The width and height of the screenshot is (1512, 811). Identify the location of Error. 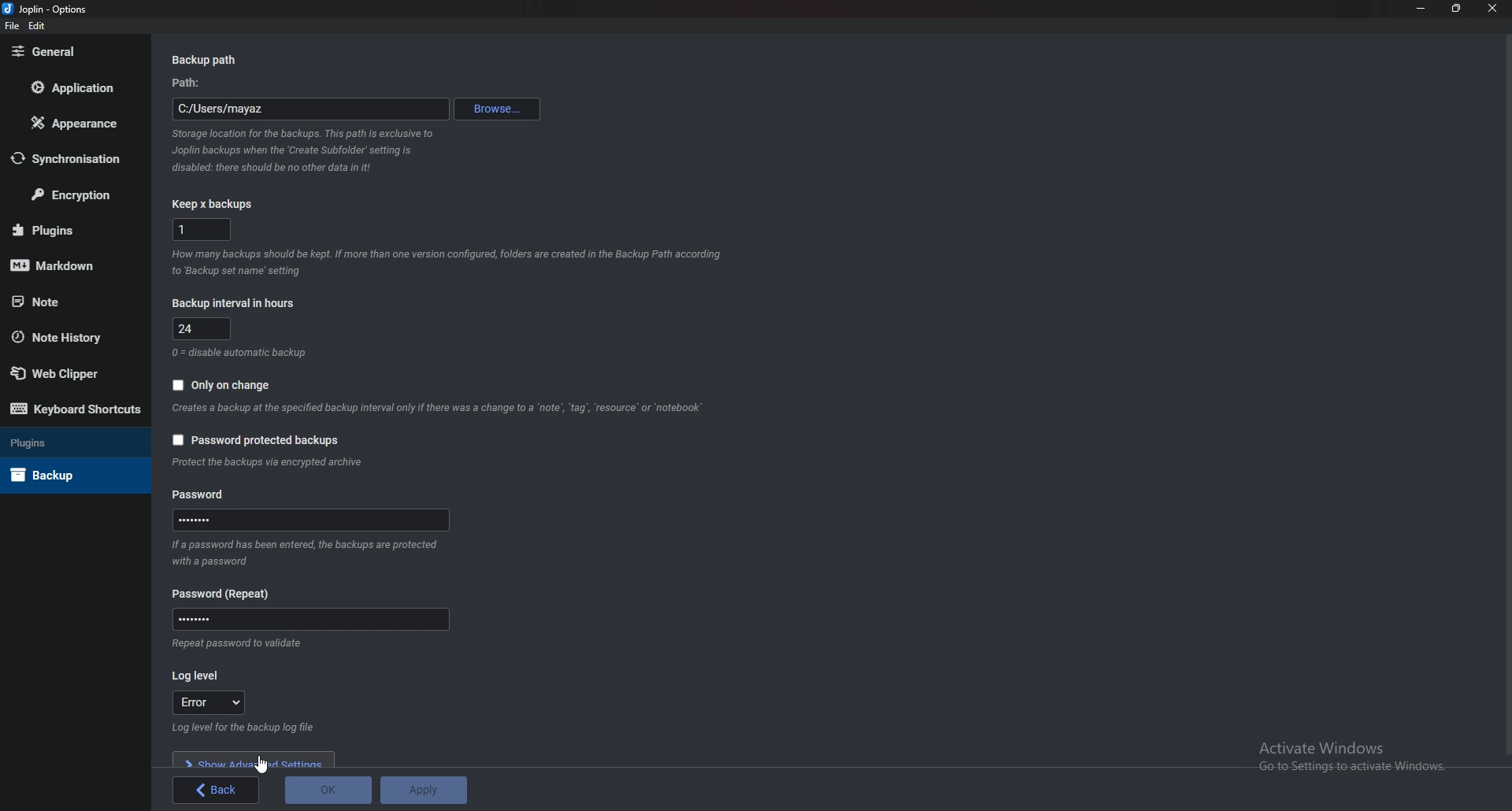
(211, 702).